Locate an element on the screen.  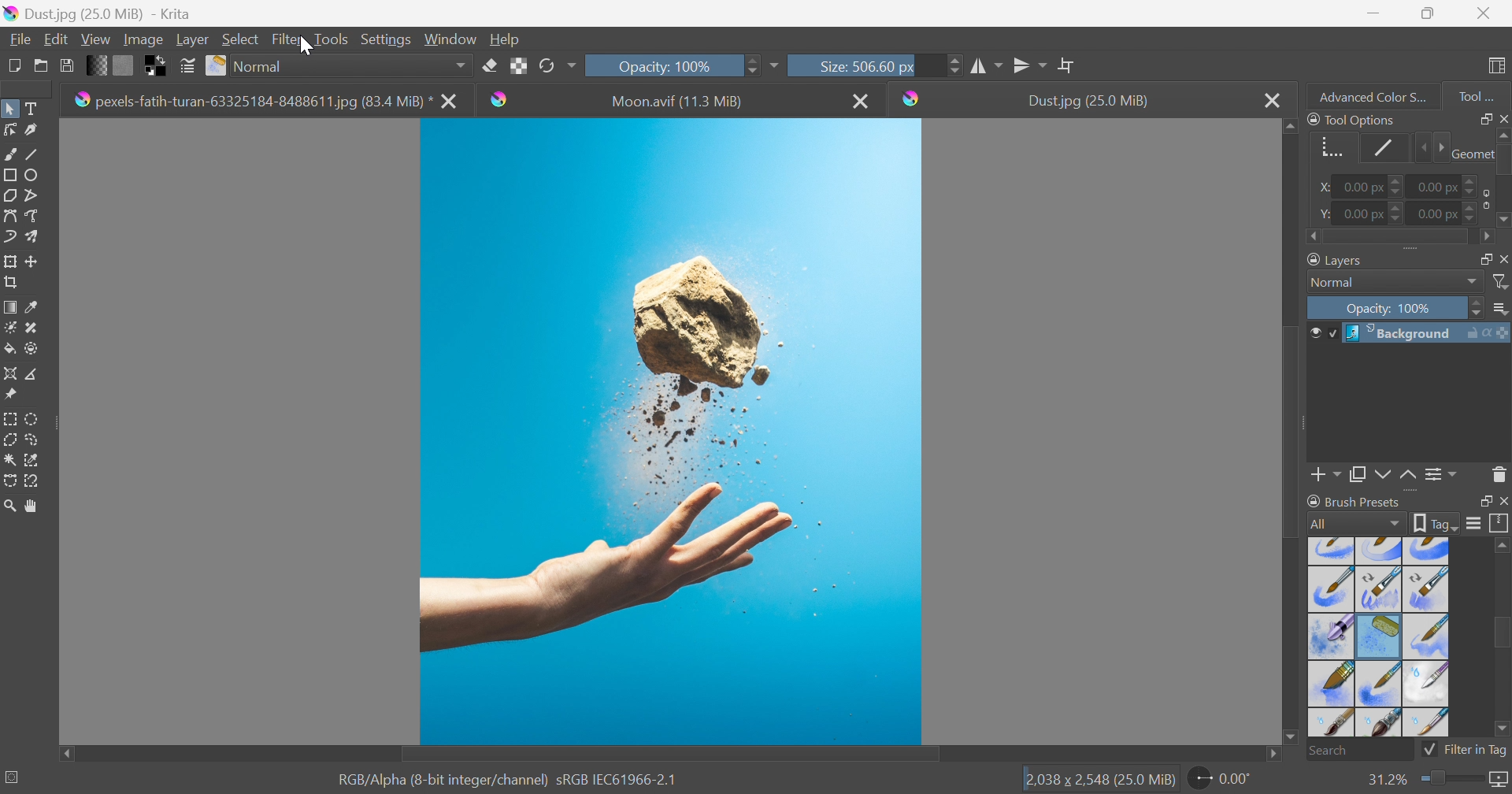
File is located at coordinates (19, 38).